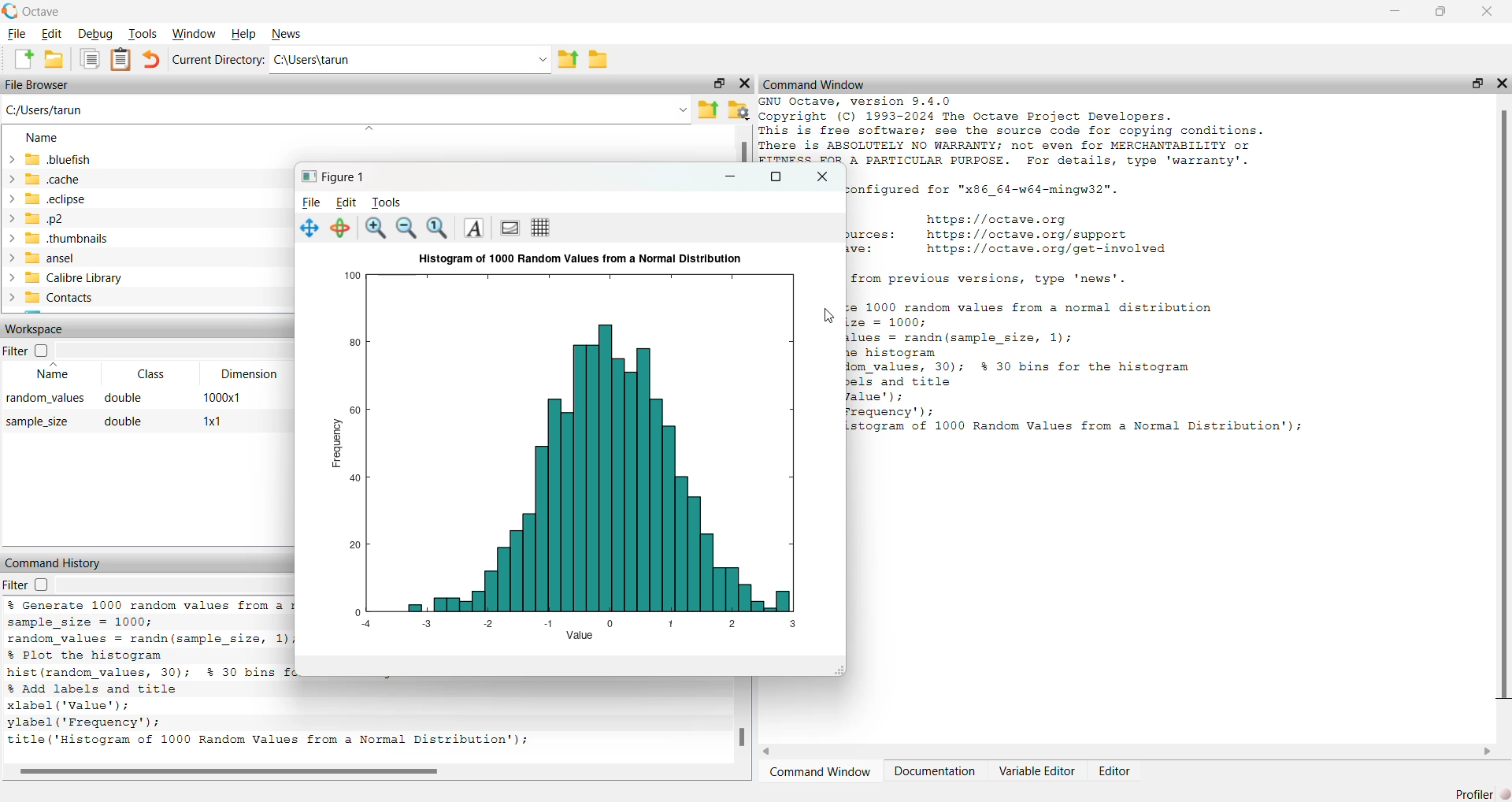 The height and width of the screenshot is (802, 1512). What do you see at coordinates (682, 110) in the screenshot?
I see `dropdown` at bounding box center [682, 110].